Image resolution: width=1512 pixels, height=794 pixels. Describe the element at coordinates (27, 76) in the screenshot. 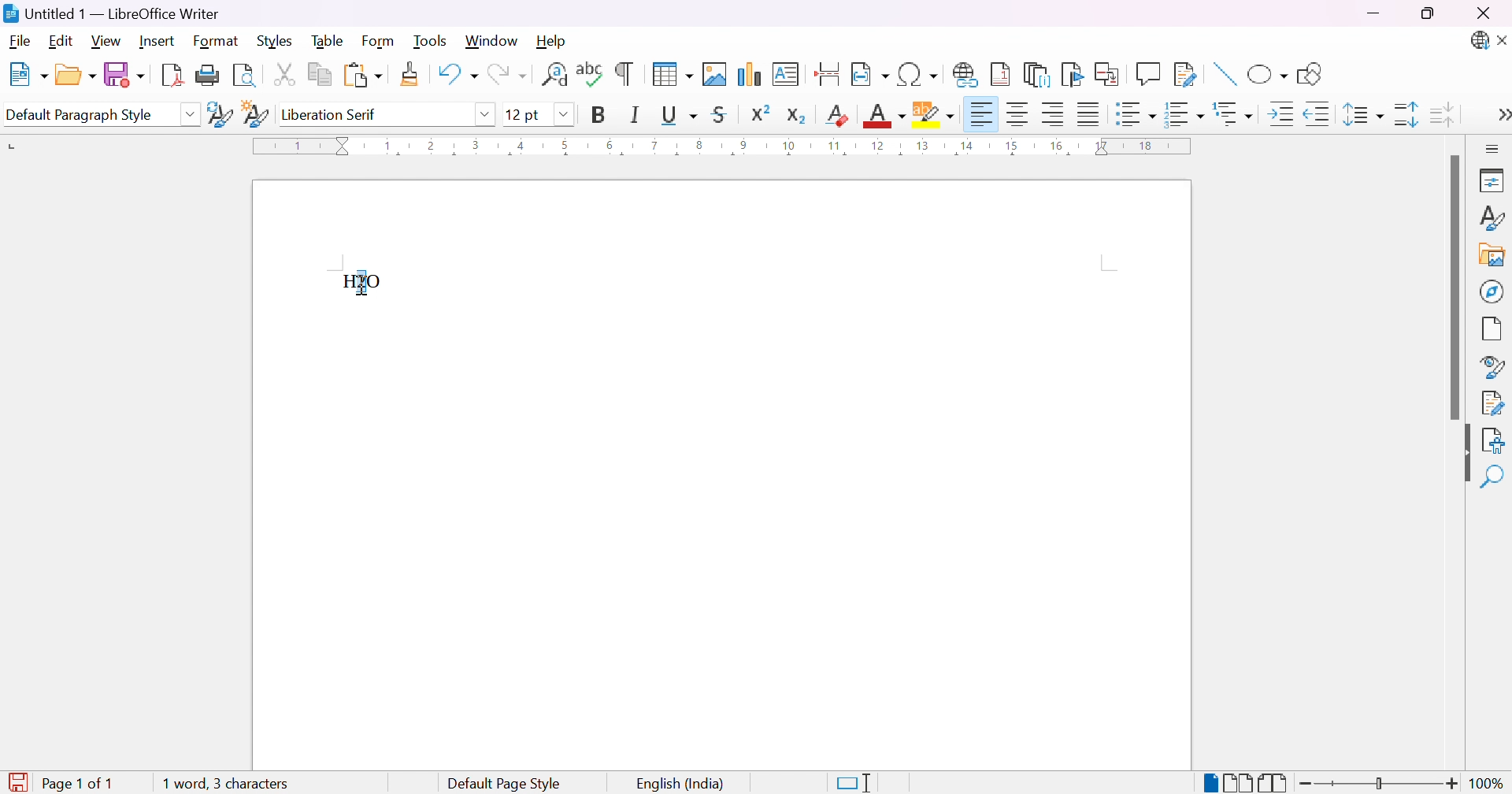

I see `New` at that location.